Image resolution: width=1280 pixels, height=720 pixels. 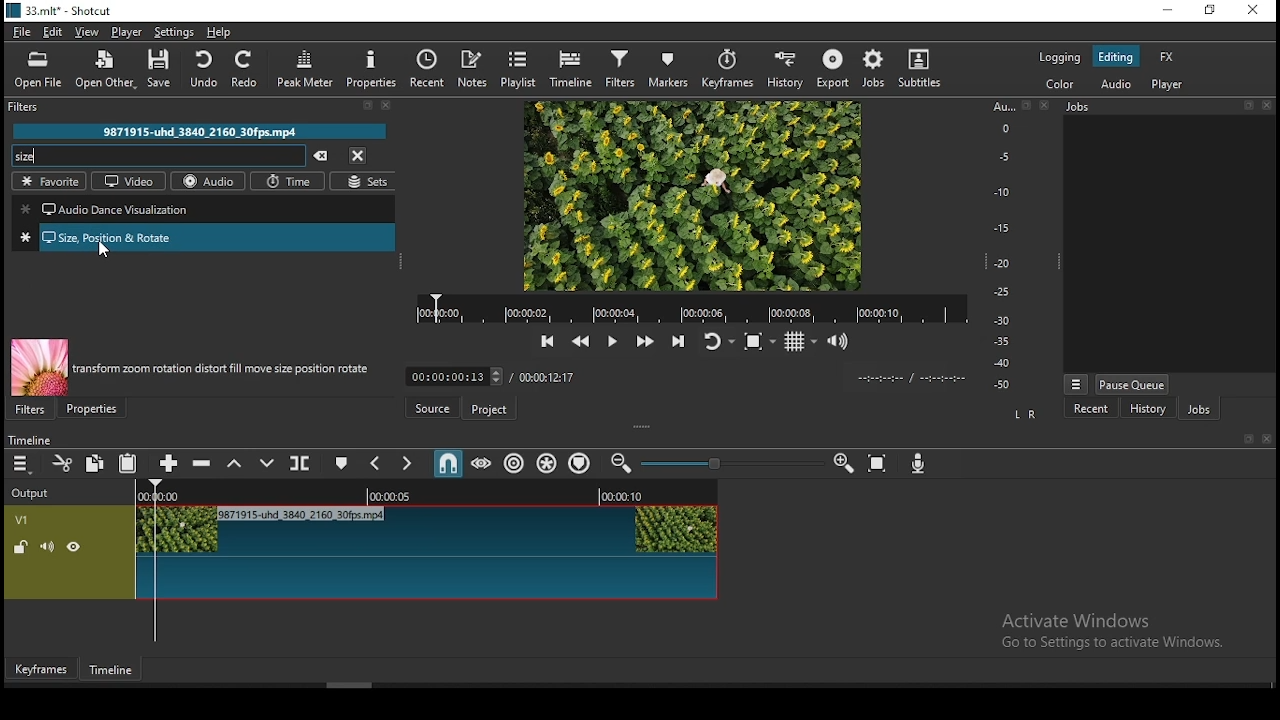 I want to click on record audio, so click(x=919, y=467).